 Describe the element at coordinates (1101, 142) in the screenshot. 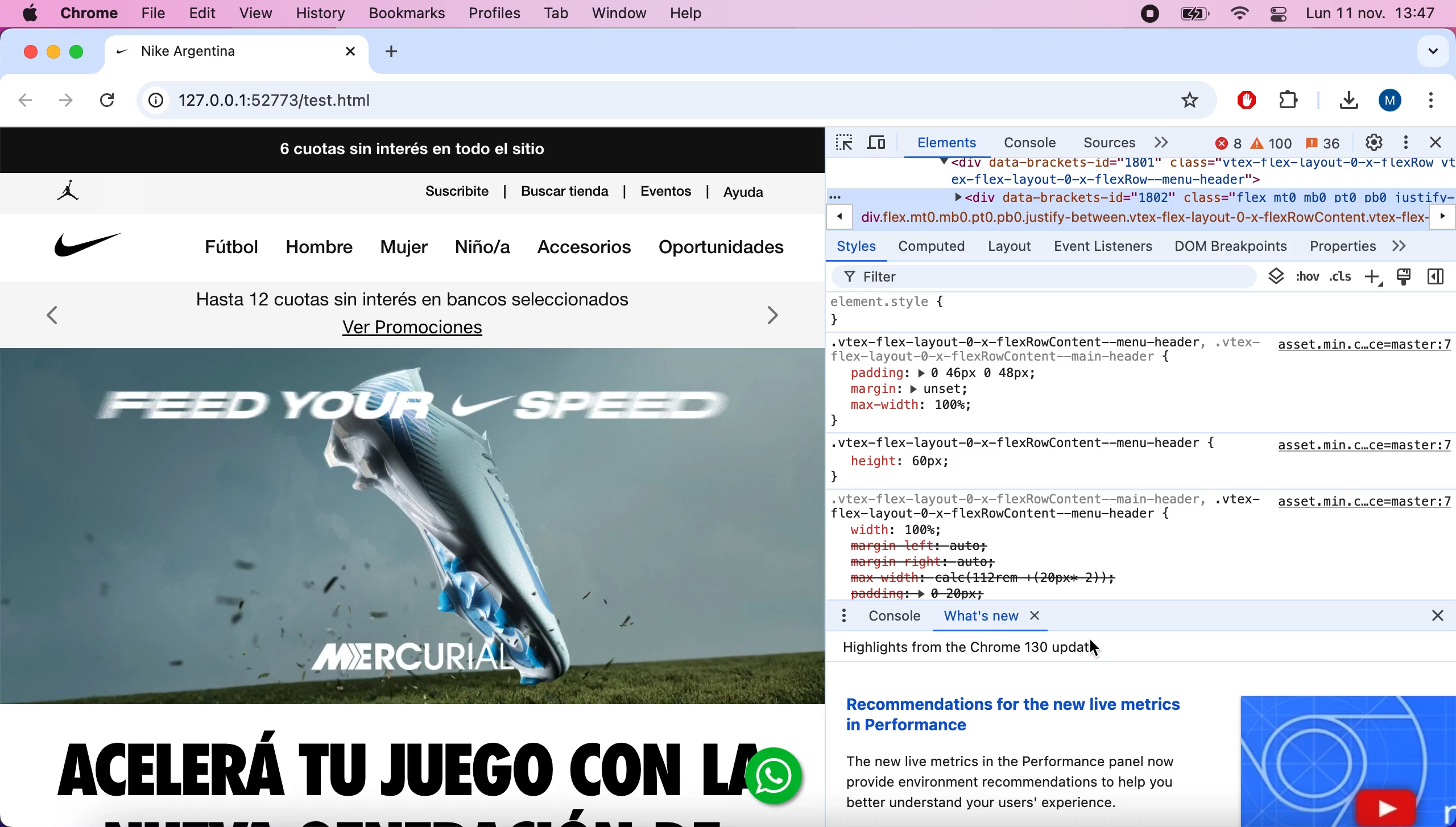

I see `sources` at that location.